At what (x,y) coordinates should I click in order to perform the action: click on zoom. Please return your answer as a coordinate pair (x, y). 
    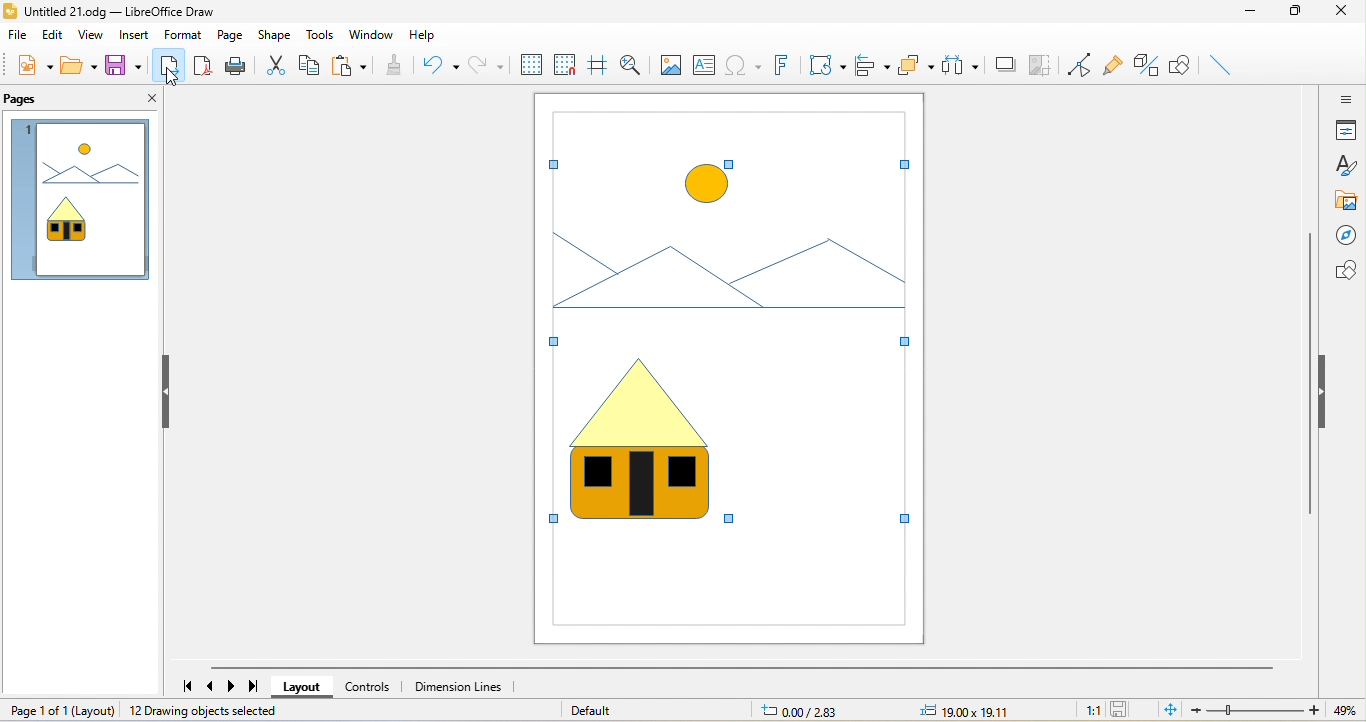
    Looking at the image, I should click on (1279, 710).